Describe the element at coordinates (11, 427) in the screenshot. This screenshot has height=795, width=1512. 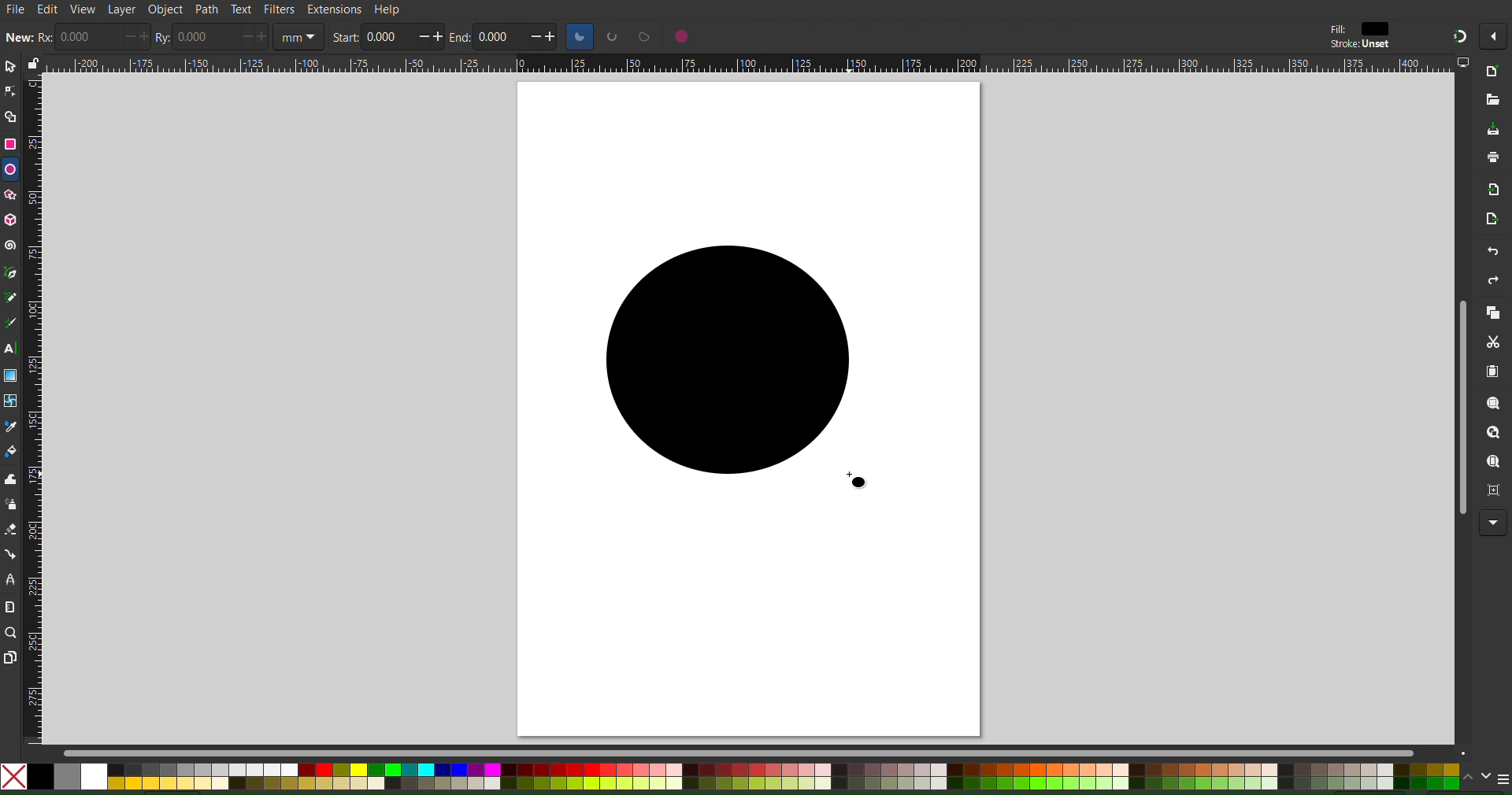
I see `Color Picker Tool` at that location.